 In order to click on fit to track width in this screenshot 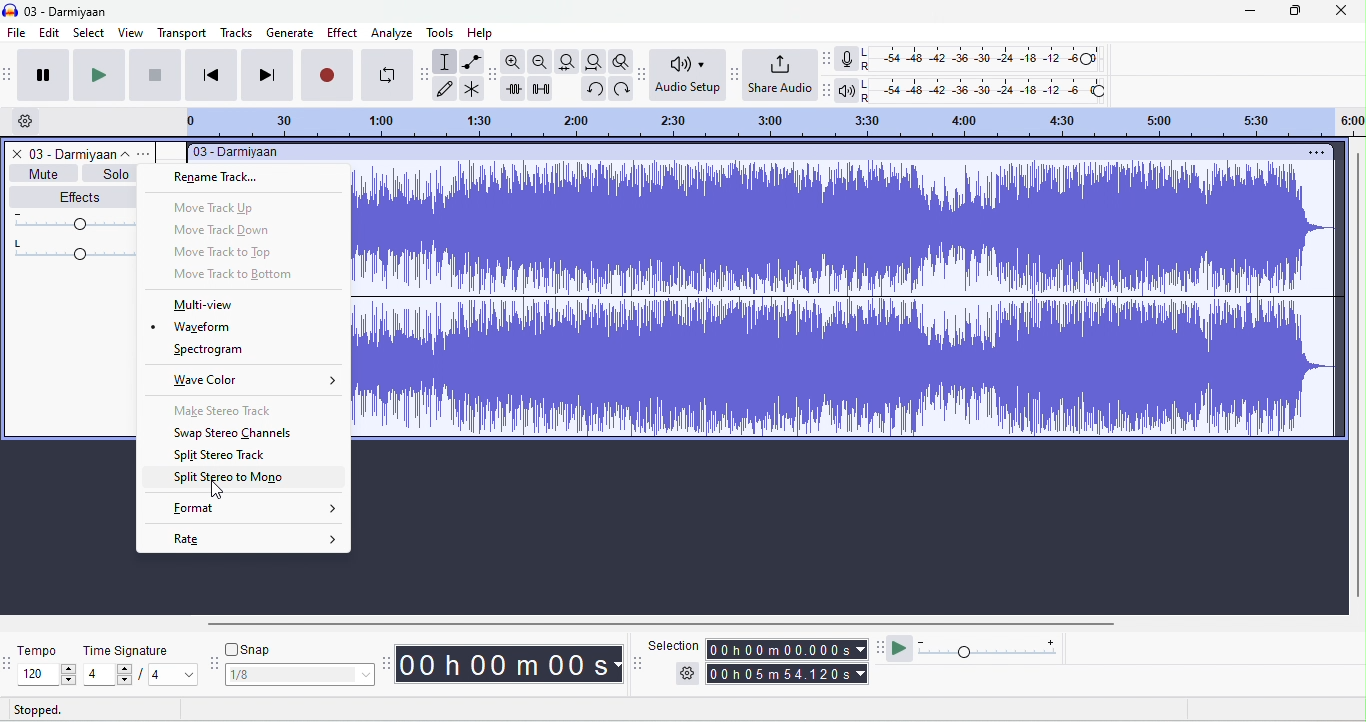, I will do `click(567, 62)`.